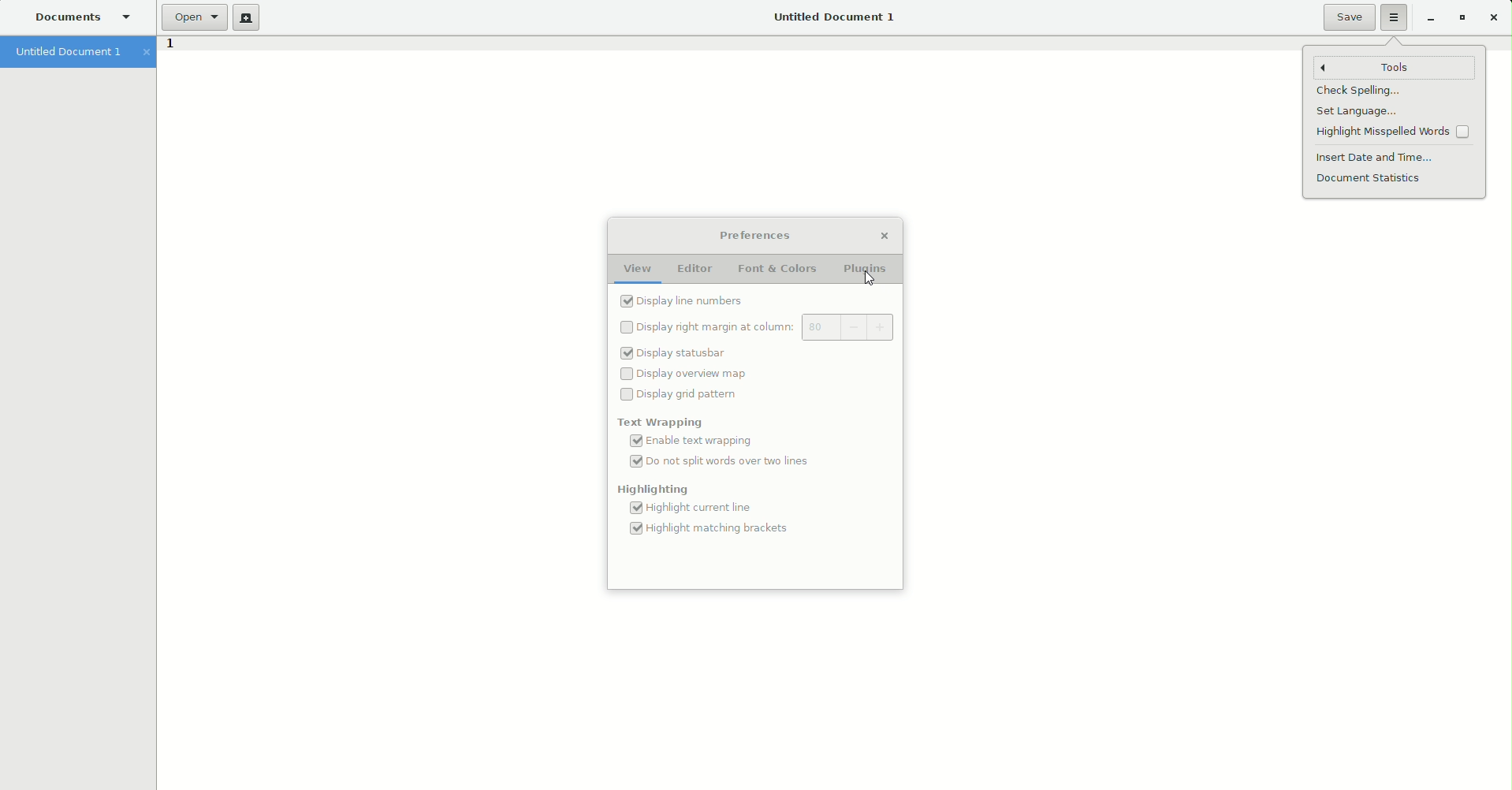  Describe the element at coordinates (1349, 17) in the screenshot. I see `Save` at that location.